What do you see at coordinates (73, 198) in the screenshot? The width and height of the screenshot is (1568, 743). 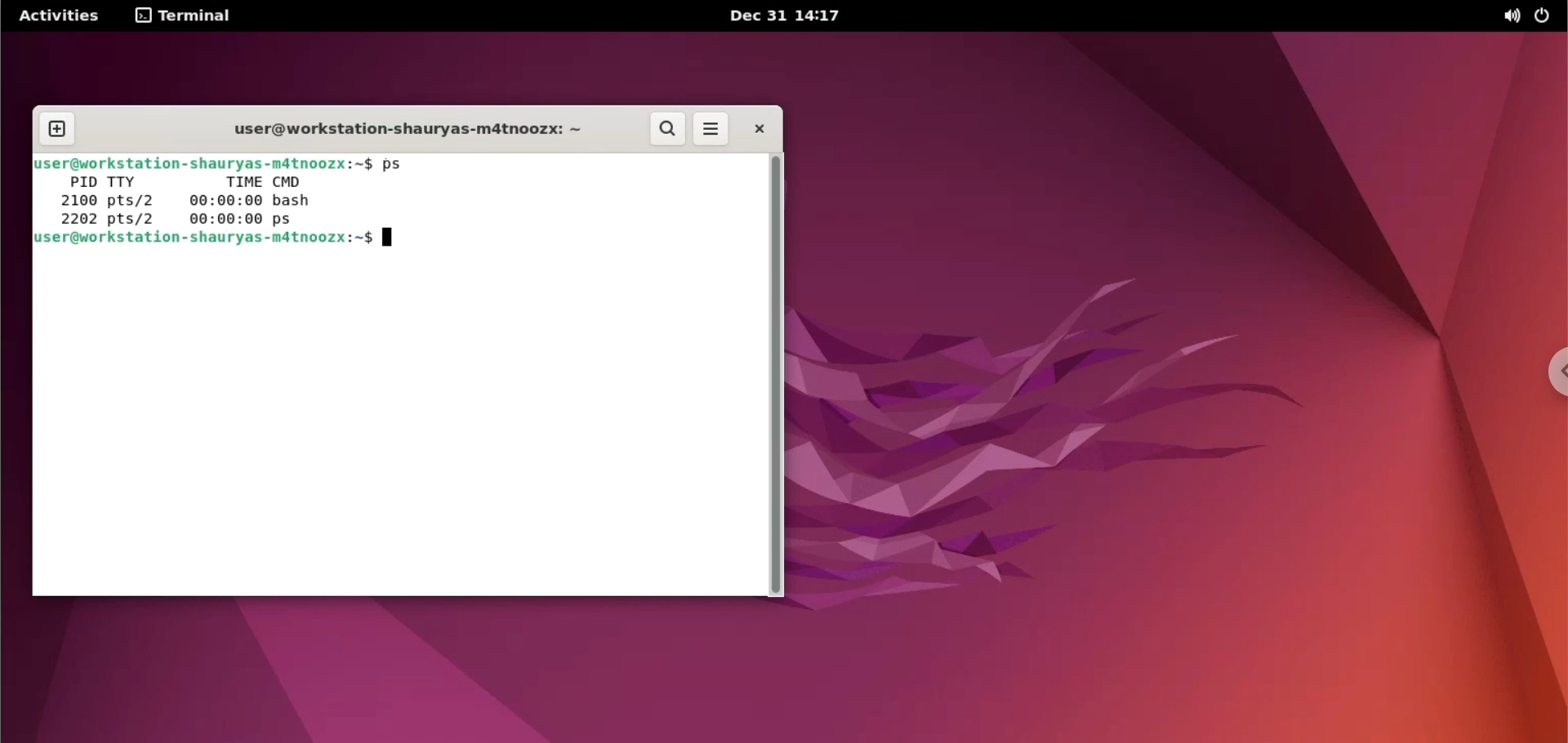 I see `2100` at bounding box center [73, 198].